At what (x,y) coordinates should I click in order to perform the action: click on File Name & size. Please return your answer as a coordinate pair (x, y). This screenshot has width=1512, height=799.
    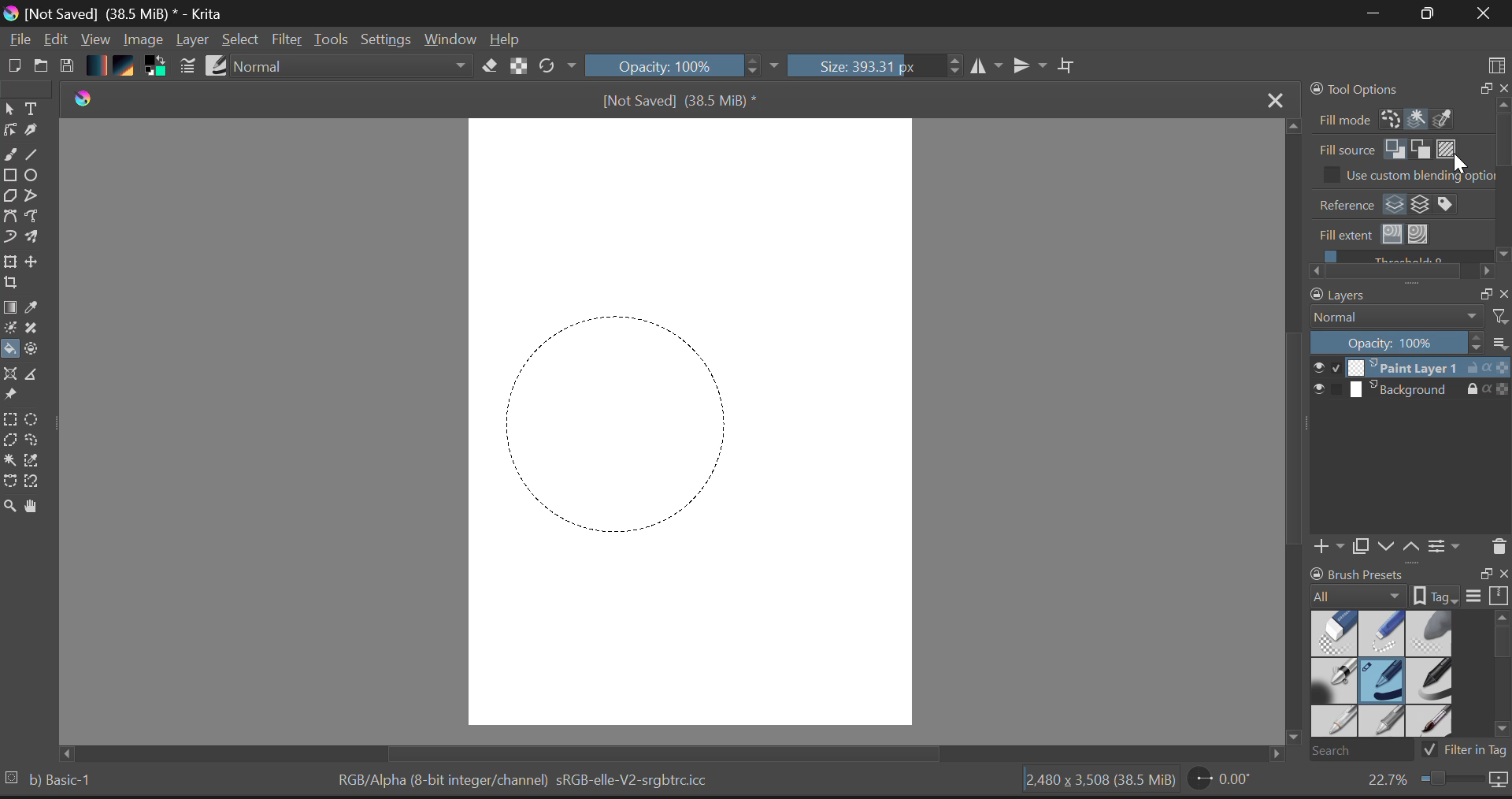
    Looking at the image, I should click on (679, 100).